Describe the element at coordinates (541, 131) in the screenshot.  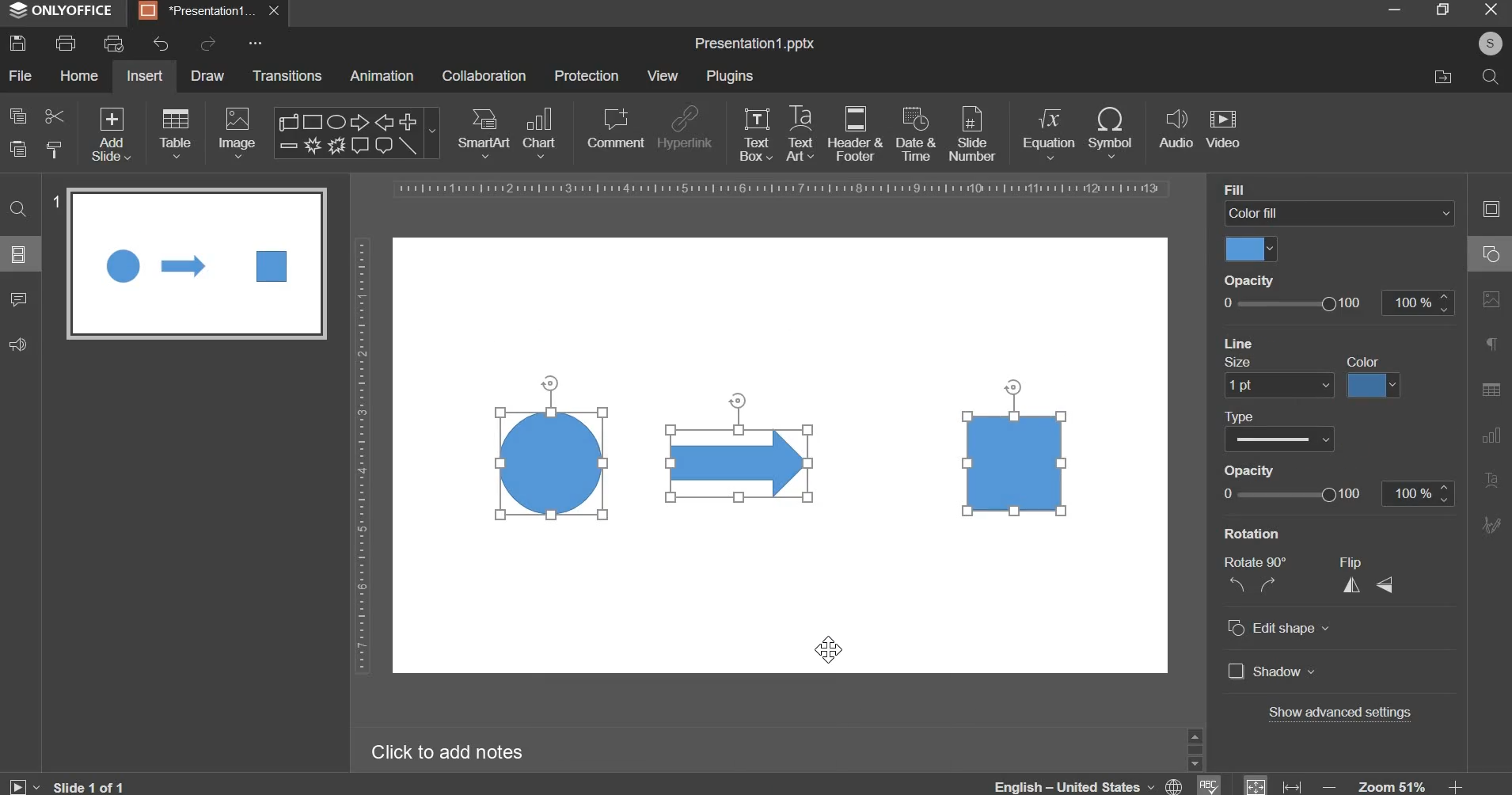
I see `chart` at that location.